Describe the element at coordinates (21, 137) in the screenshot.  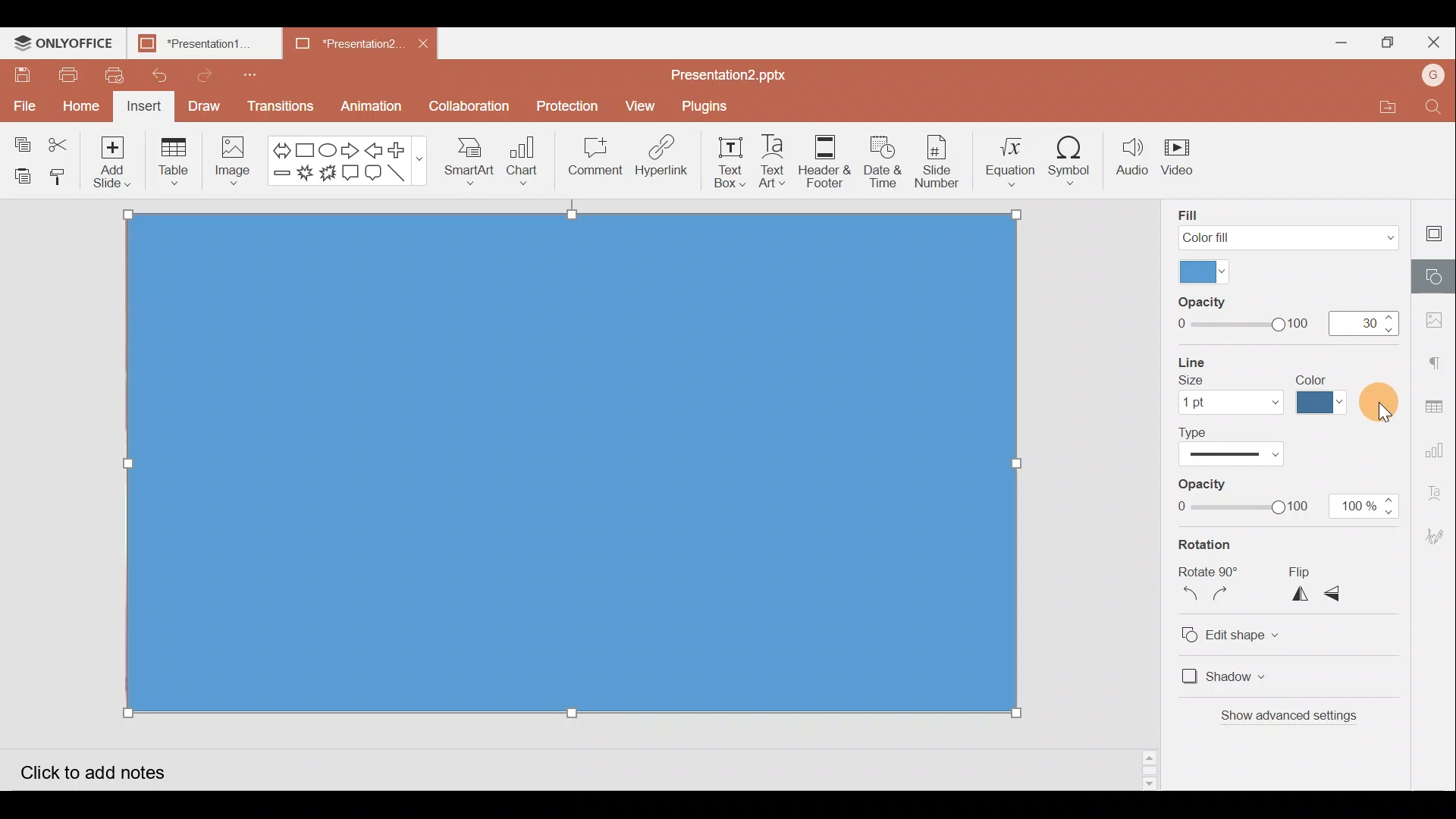
I see `Copy` at that location.